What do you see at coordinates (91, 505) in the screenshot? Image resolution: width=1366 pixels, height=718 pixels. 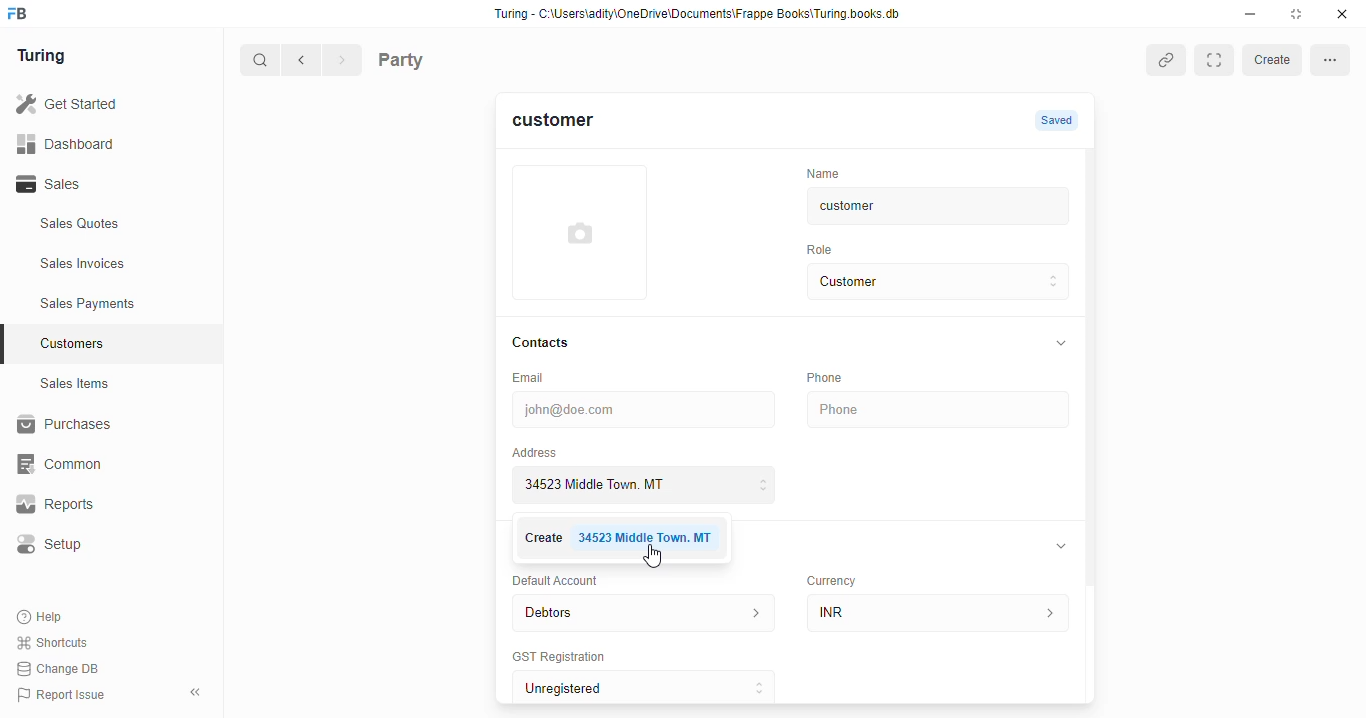 I see `Reports` at bounding box center [91, 505].